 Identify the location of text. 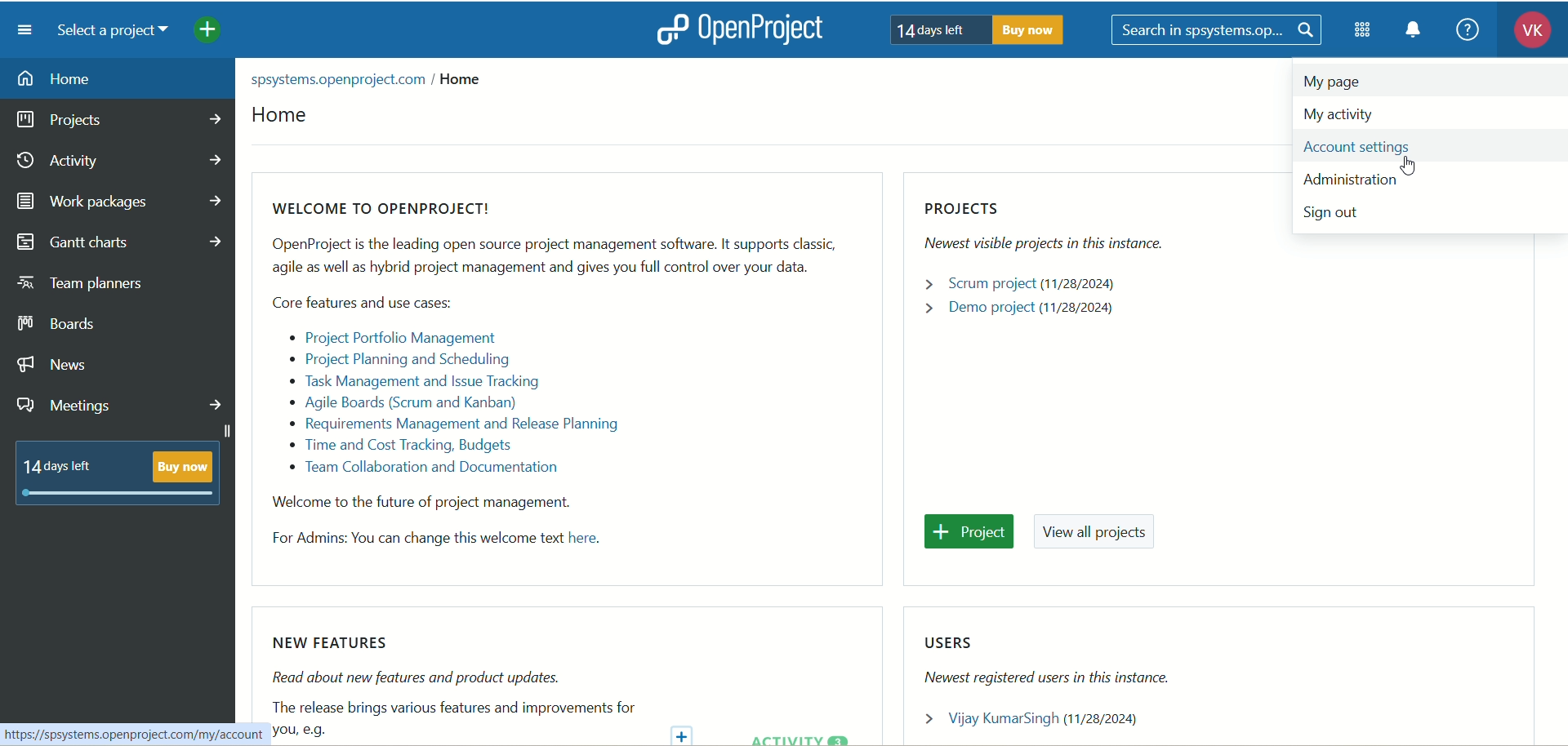
(454, 687).